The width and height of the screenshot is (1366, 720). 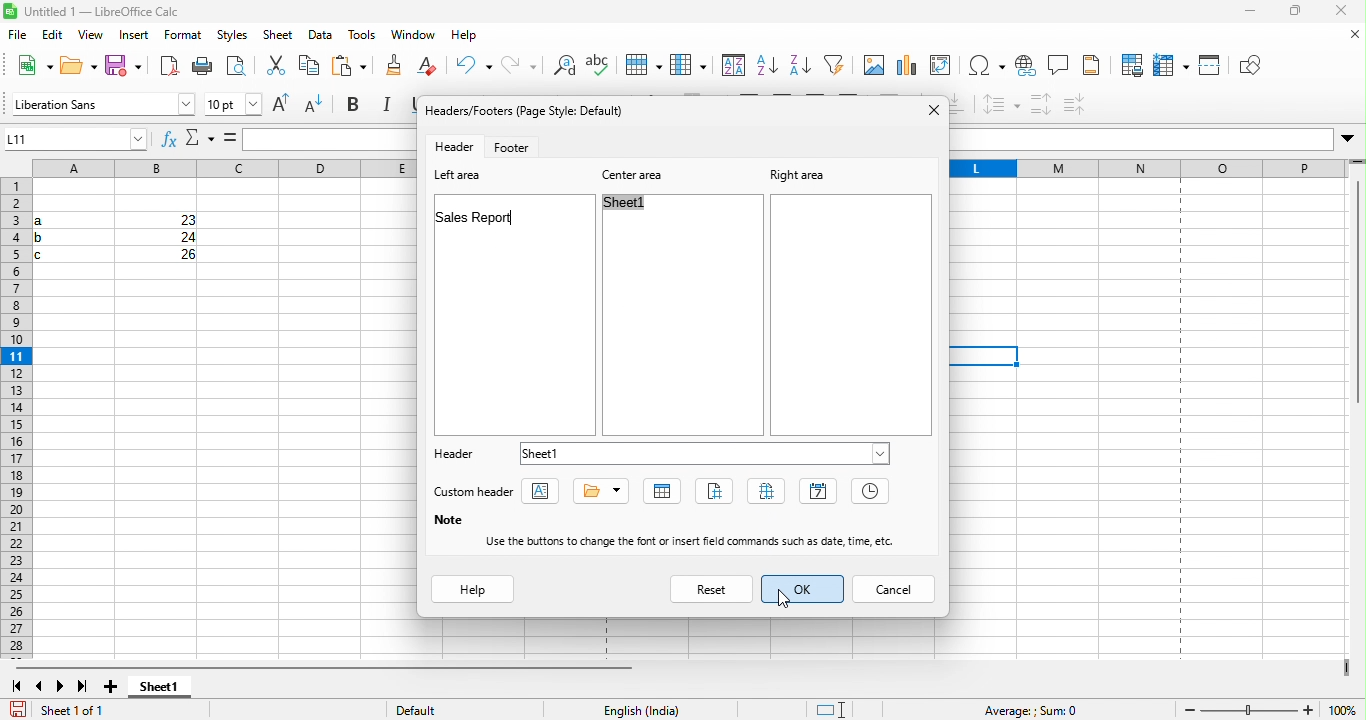 What do you see at coordinates (766, 490) in the screenshot?
I see `pages` at bounding box center [766, 490].